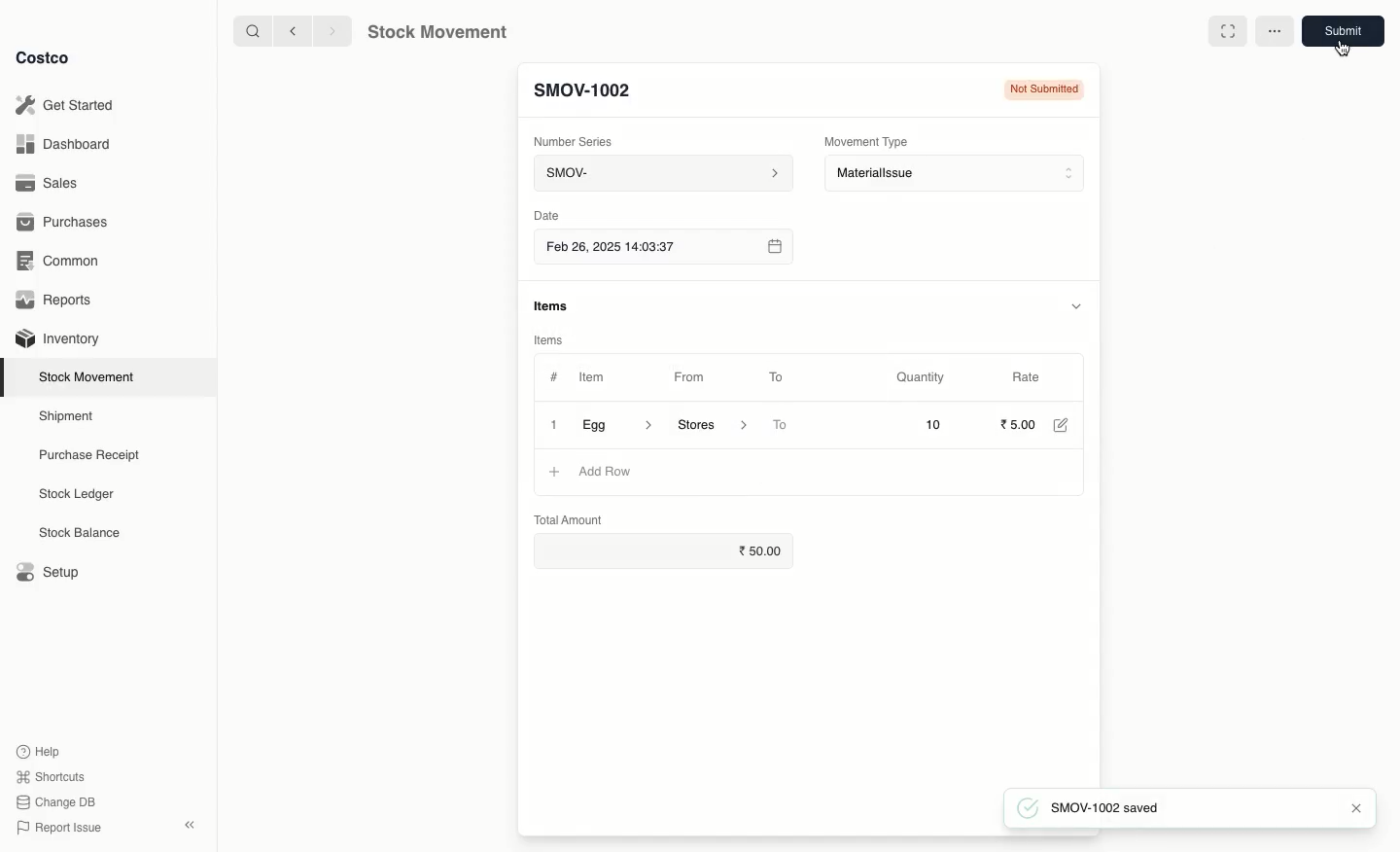 The width and height of the screenshot is (1400, 852). I want to click on Stock Ledger, so click(77, 496).